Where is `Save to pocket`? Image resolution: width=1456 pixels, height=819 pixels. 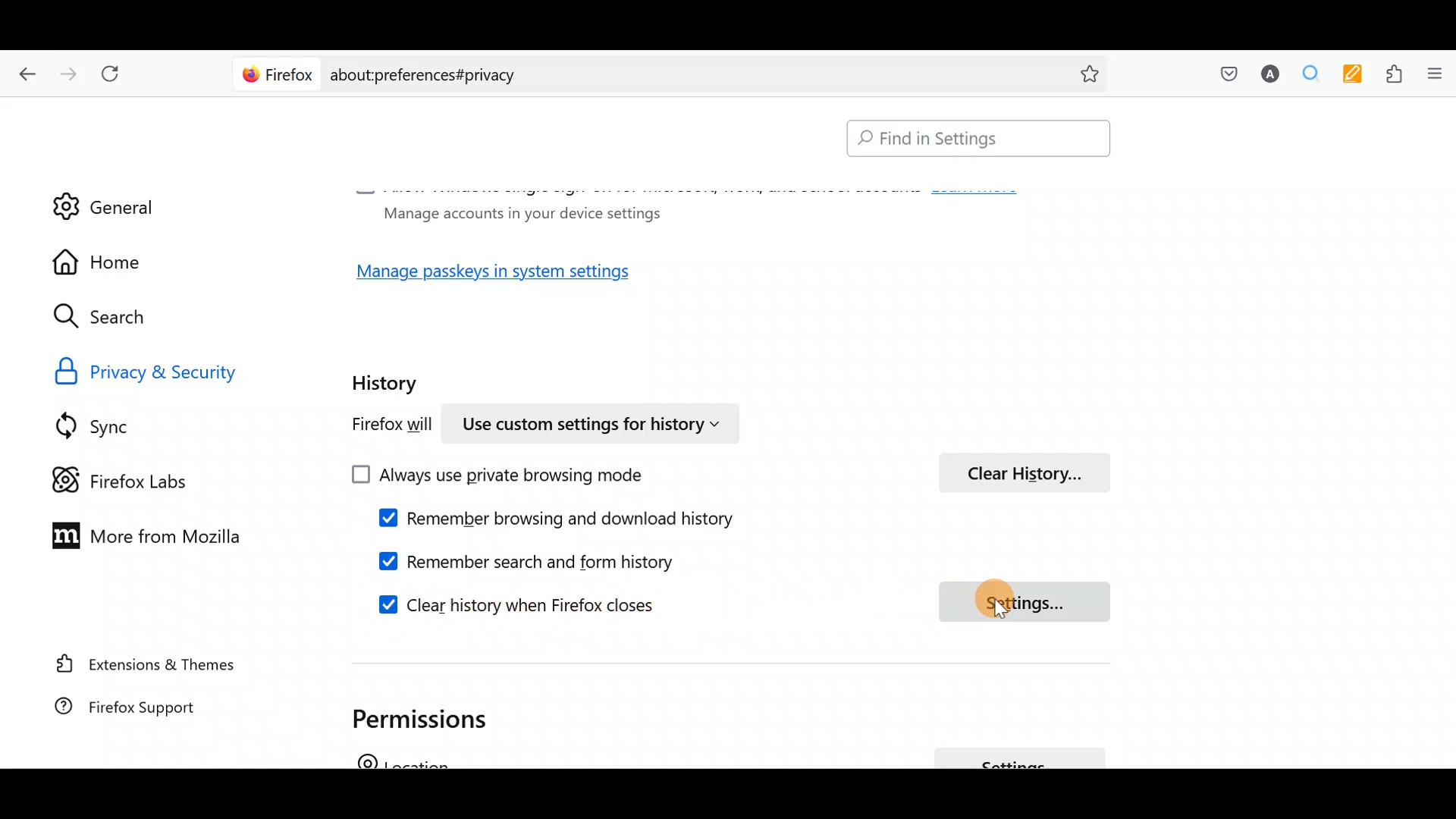 Save to pocket is located at coordinates (1222, 73).